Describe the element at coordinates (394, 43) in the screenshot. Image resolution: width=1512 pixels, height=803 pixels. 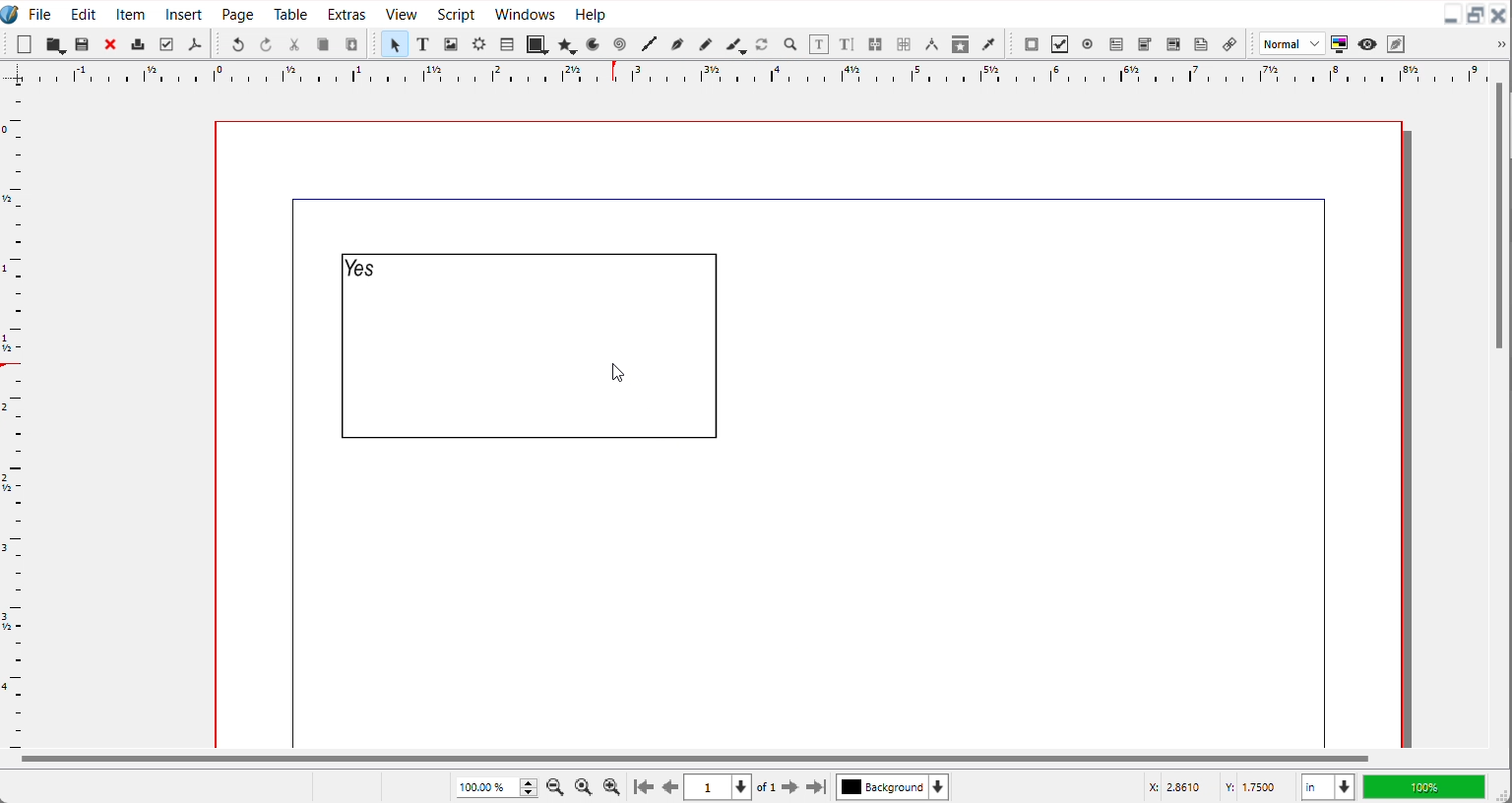
I see `Select item` at that location.